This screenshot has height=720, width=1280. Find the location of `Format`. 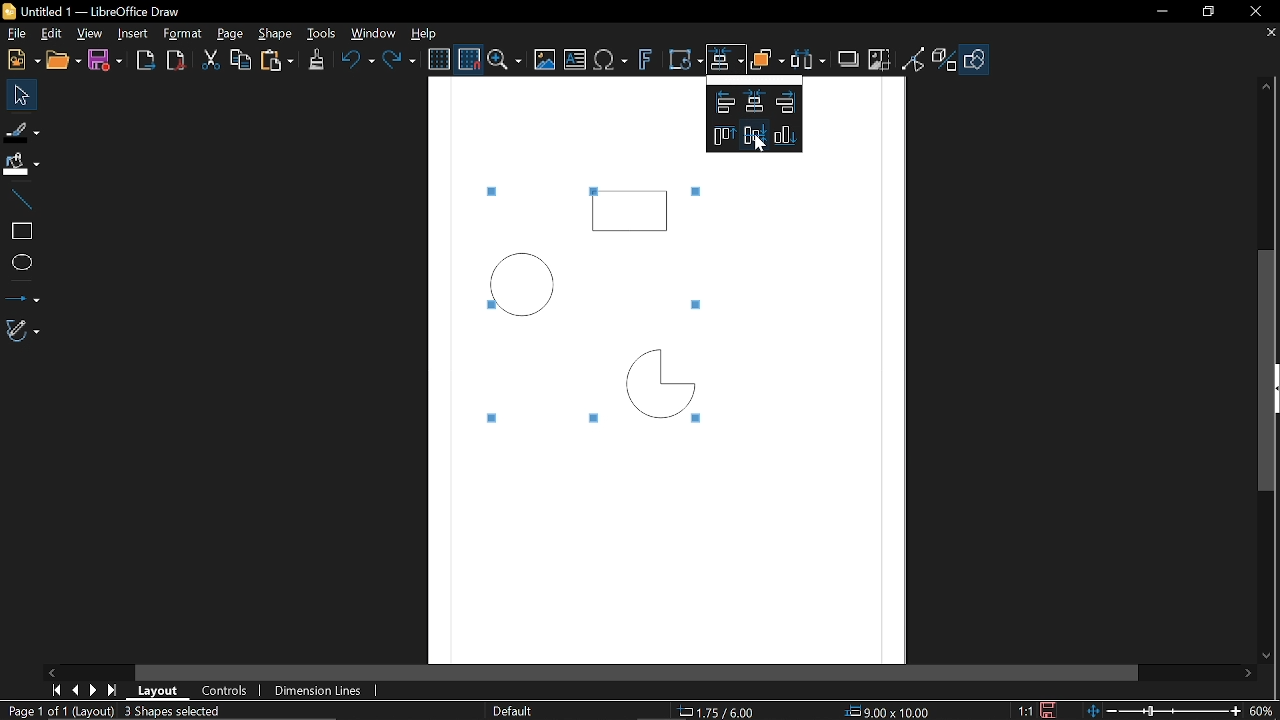

Format is located at coordinates (181, 34).